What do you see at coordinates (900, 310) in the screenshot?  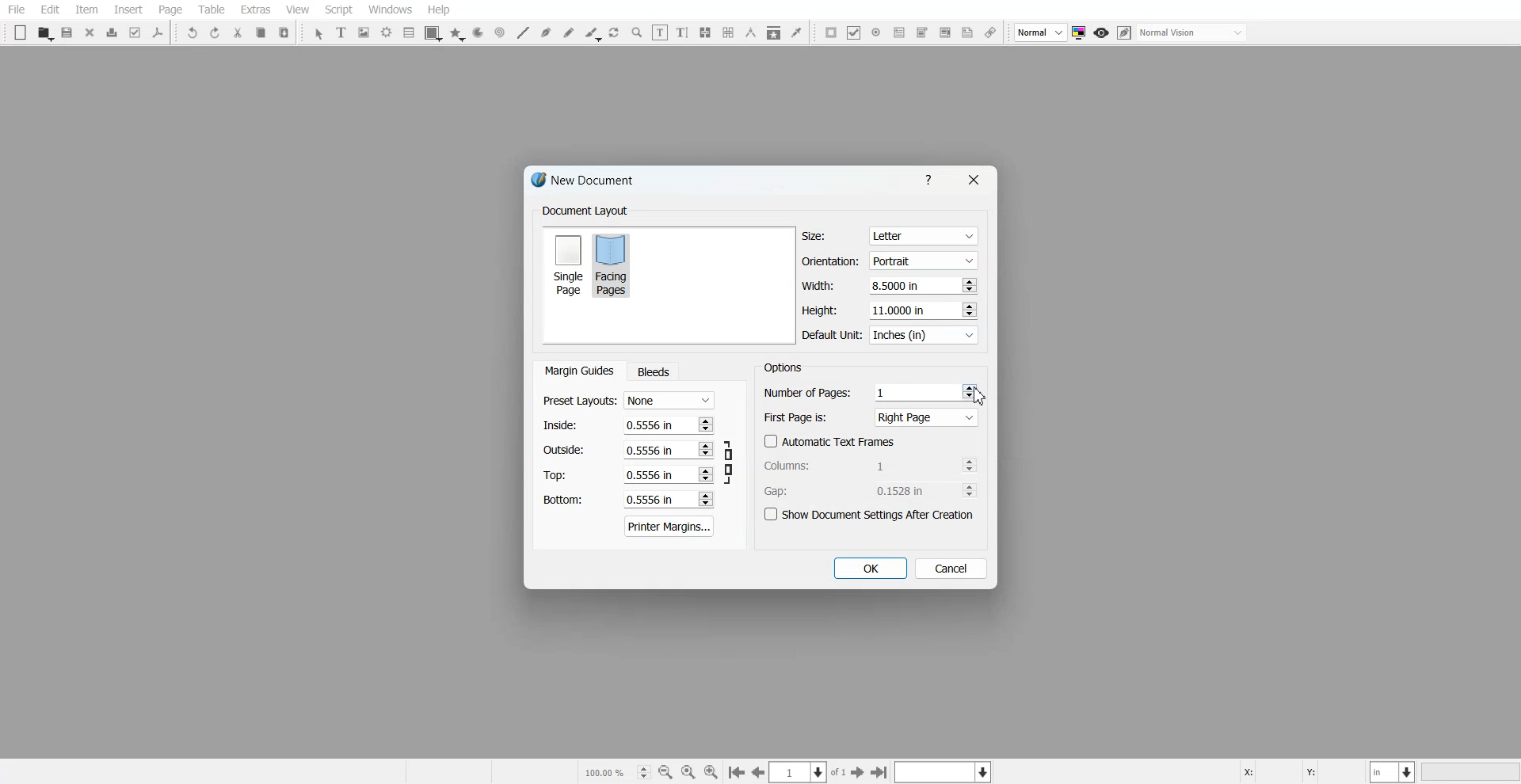 I see `11.0000 in` at bounding box center [900, 310].